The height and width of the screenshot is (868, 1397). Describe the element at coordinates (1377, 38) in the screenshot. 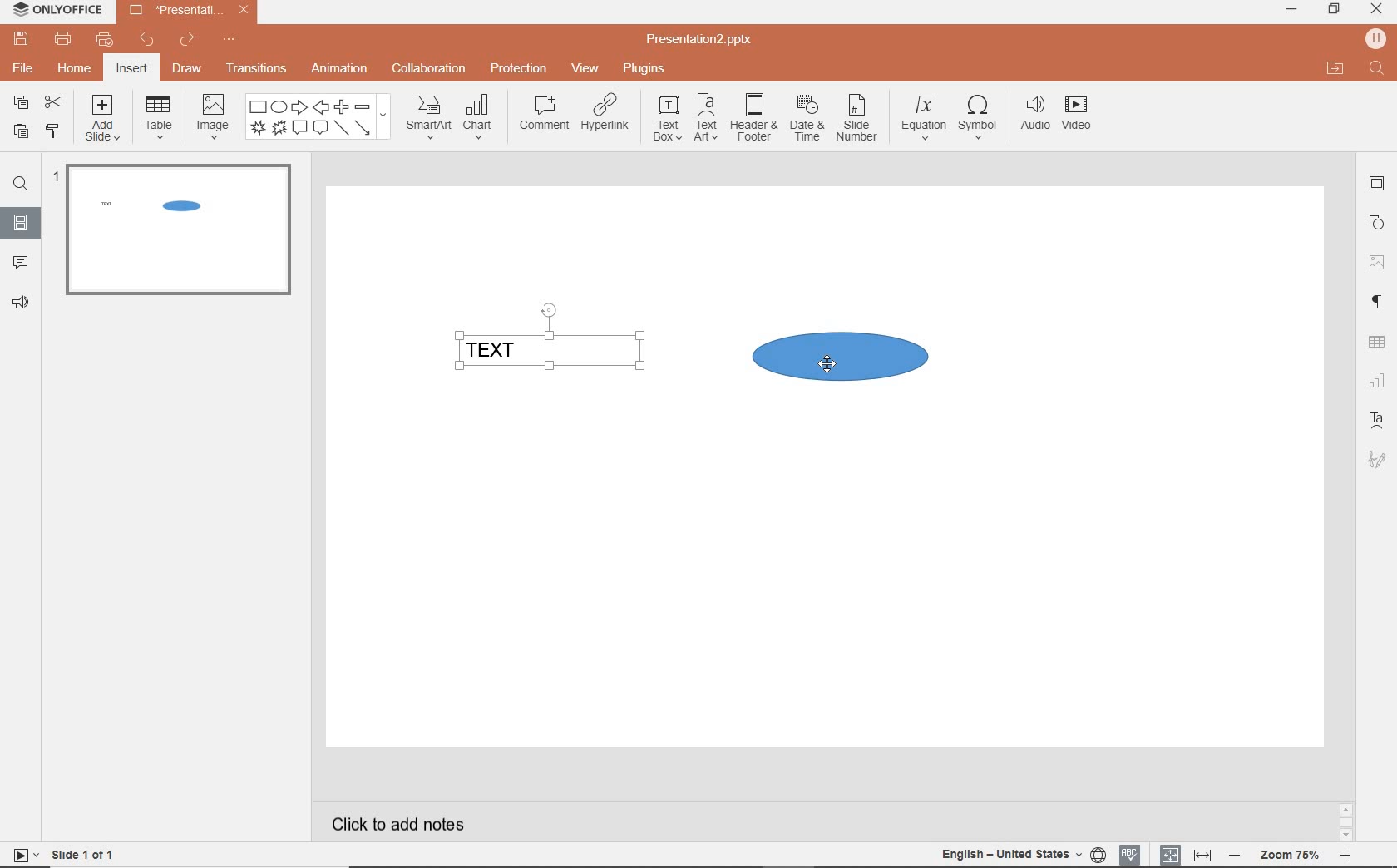

I see `HP` at that location.